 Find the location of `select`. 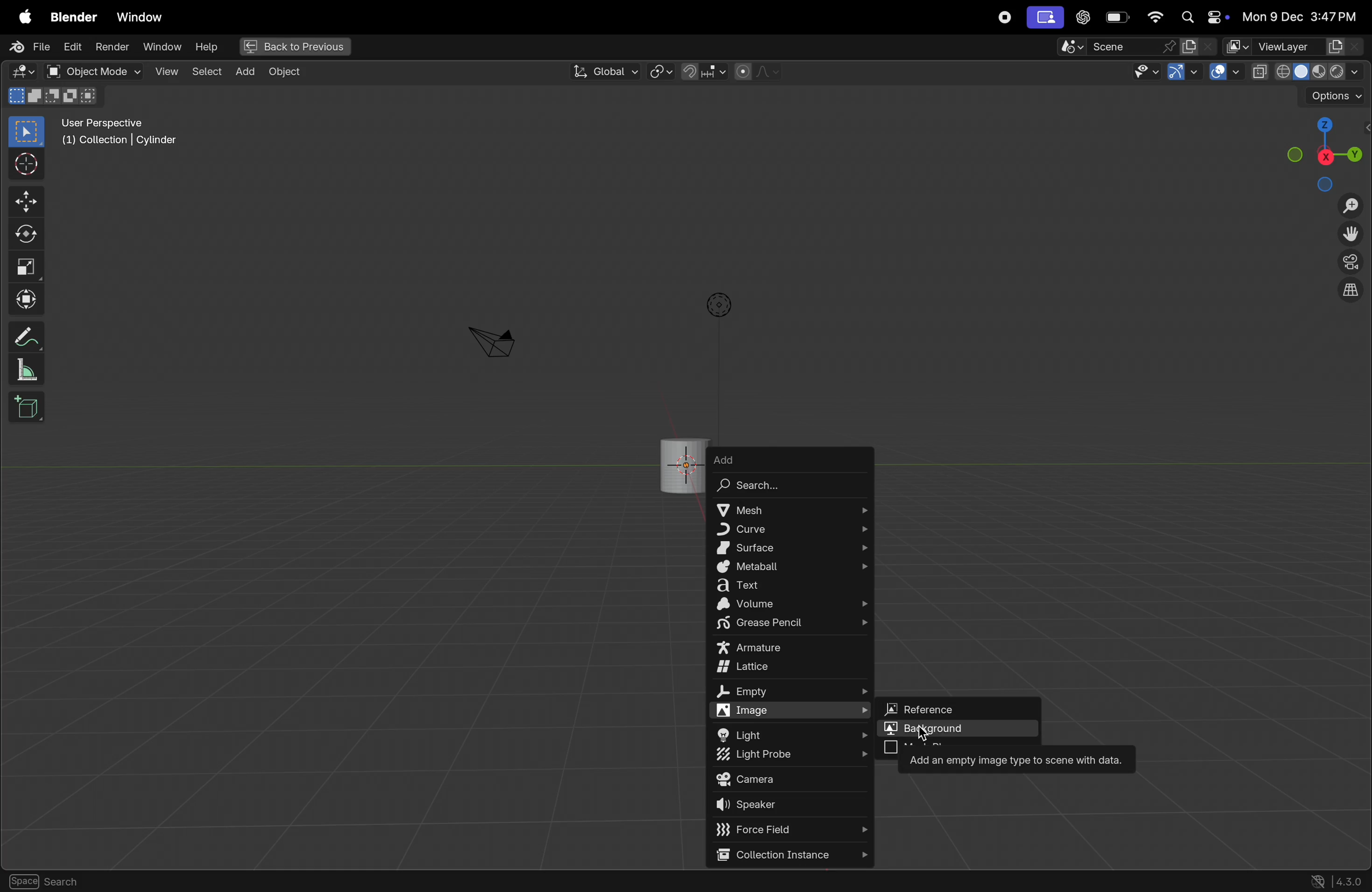

select is located at coordinates (29, 881).